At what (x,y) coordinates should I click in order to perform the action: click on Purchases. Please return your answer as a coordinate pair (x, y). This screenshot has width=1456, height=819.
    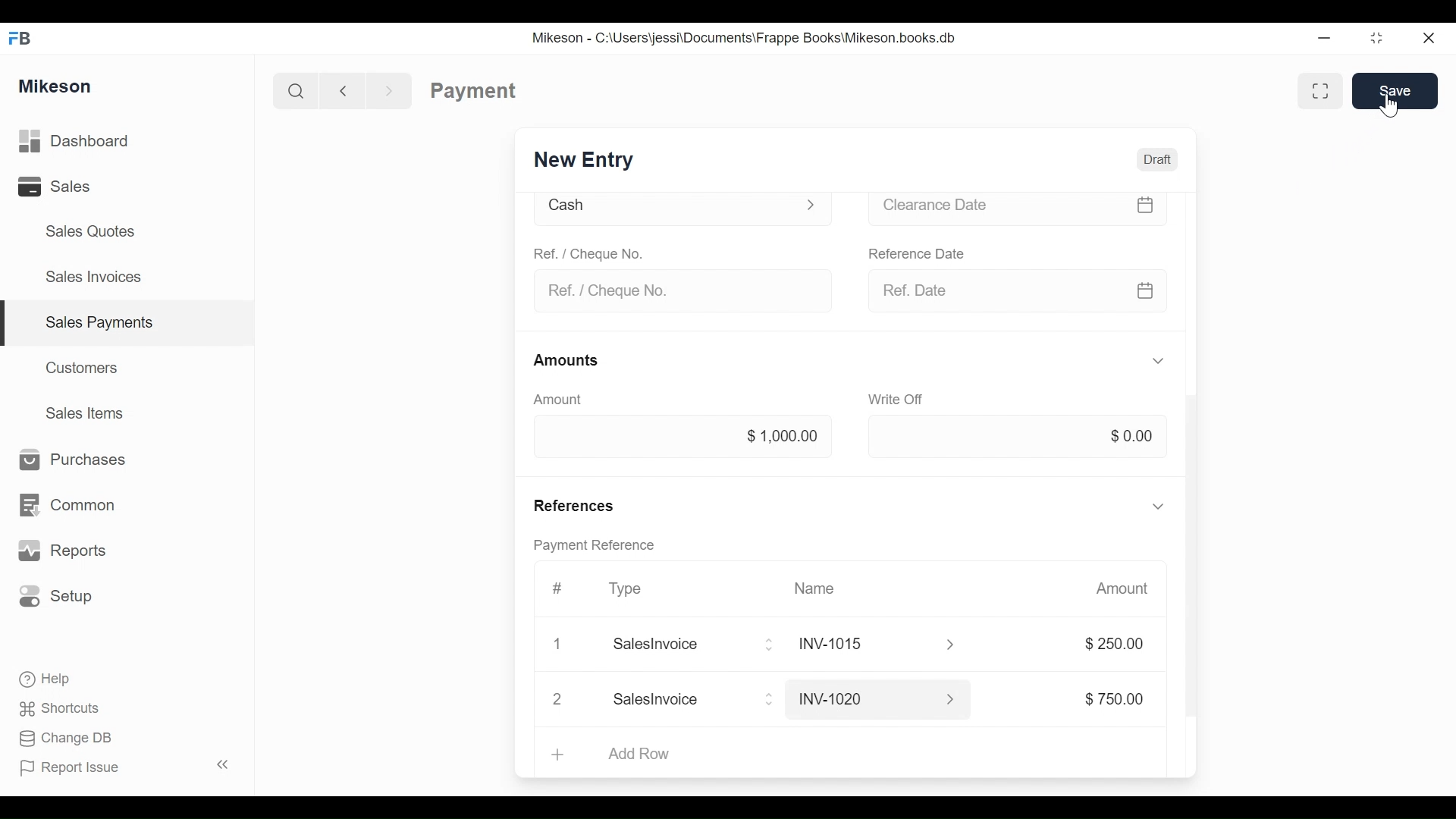
    Looking at the image, I should click on (72, 460).